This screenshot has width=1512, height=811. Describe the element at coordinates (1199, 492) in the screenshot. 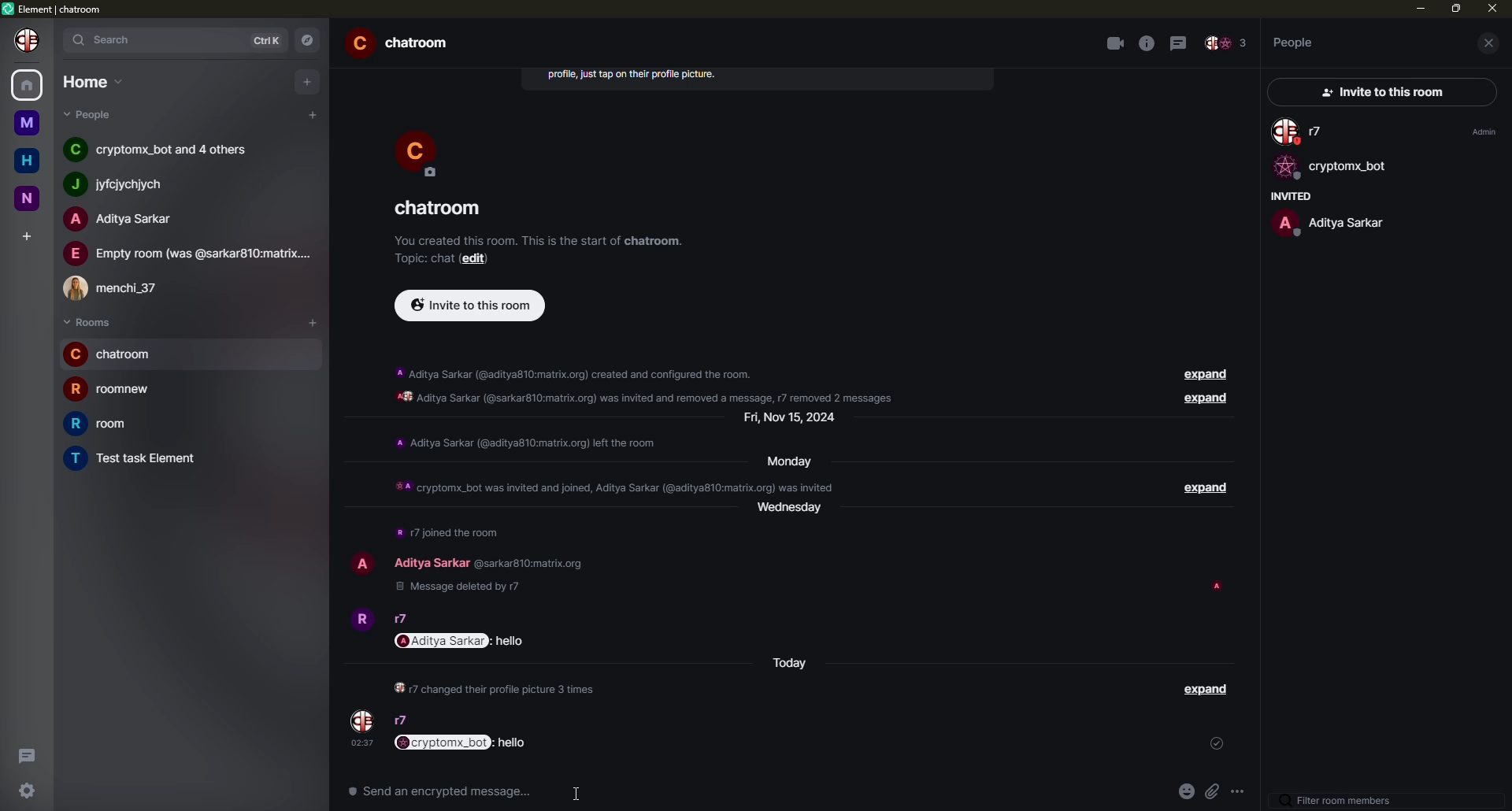

I see `expand` at that location.